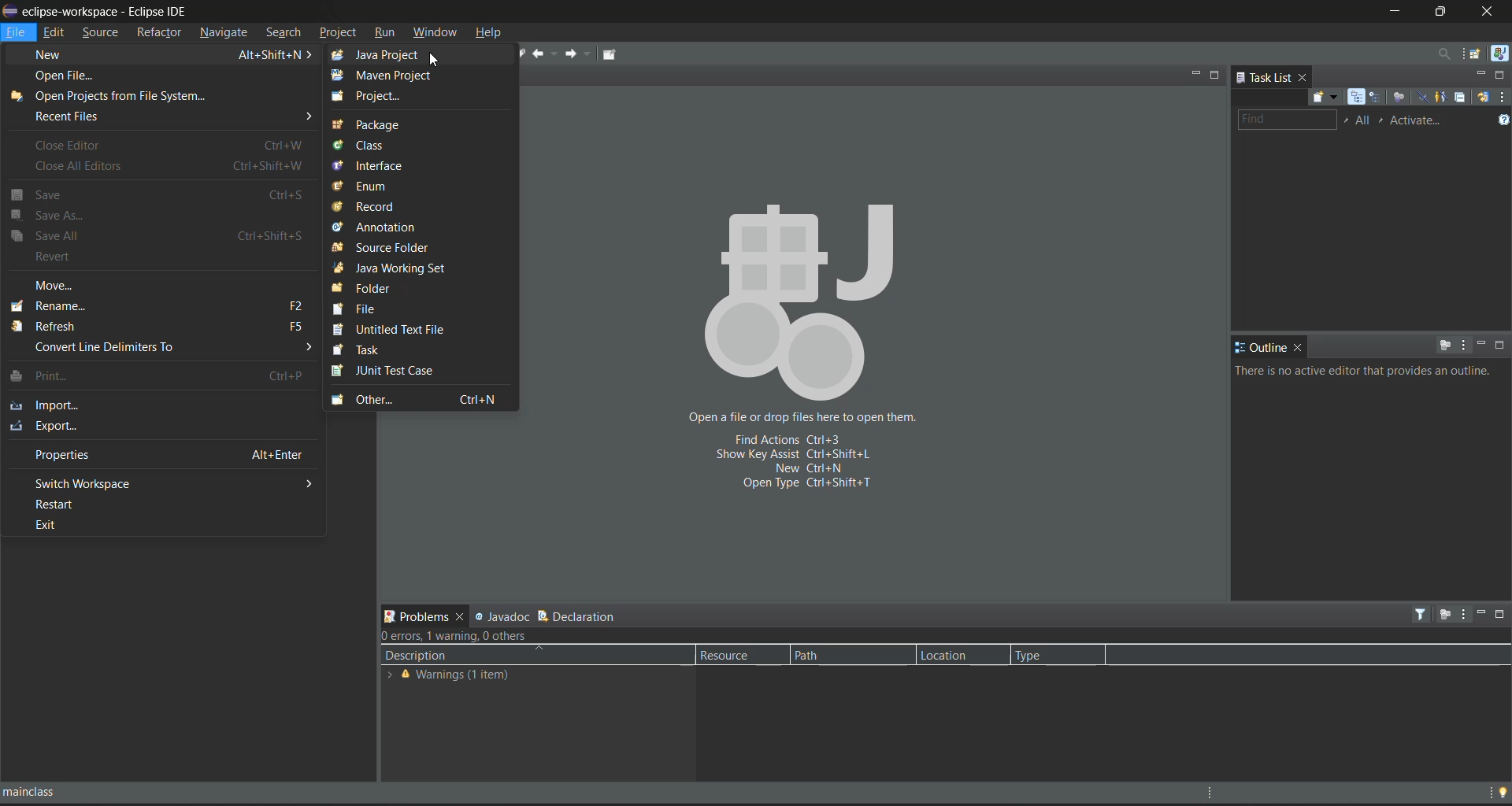 The height and width of the screenshot is (806, 1512). What do you see at coordinates (420, 401) in the screenshot?
I see `other` at bounding box center [420, 401].